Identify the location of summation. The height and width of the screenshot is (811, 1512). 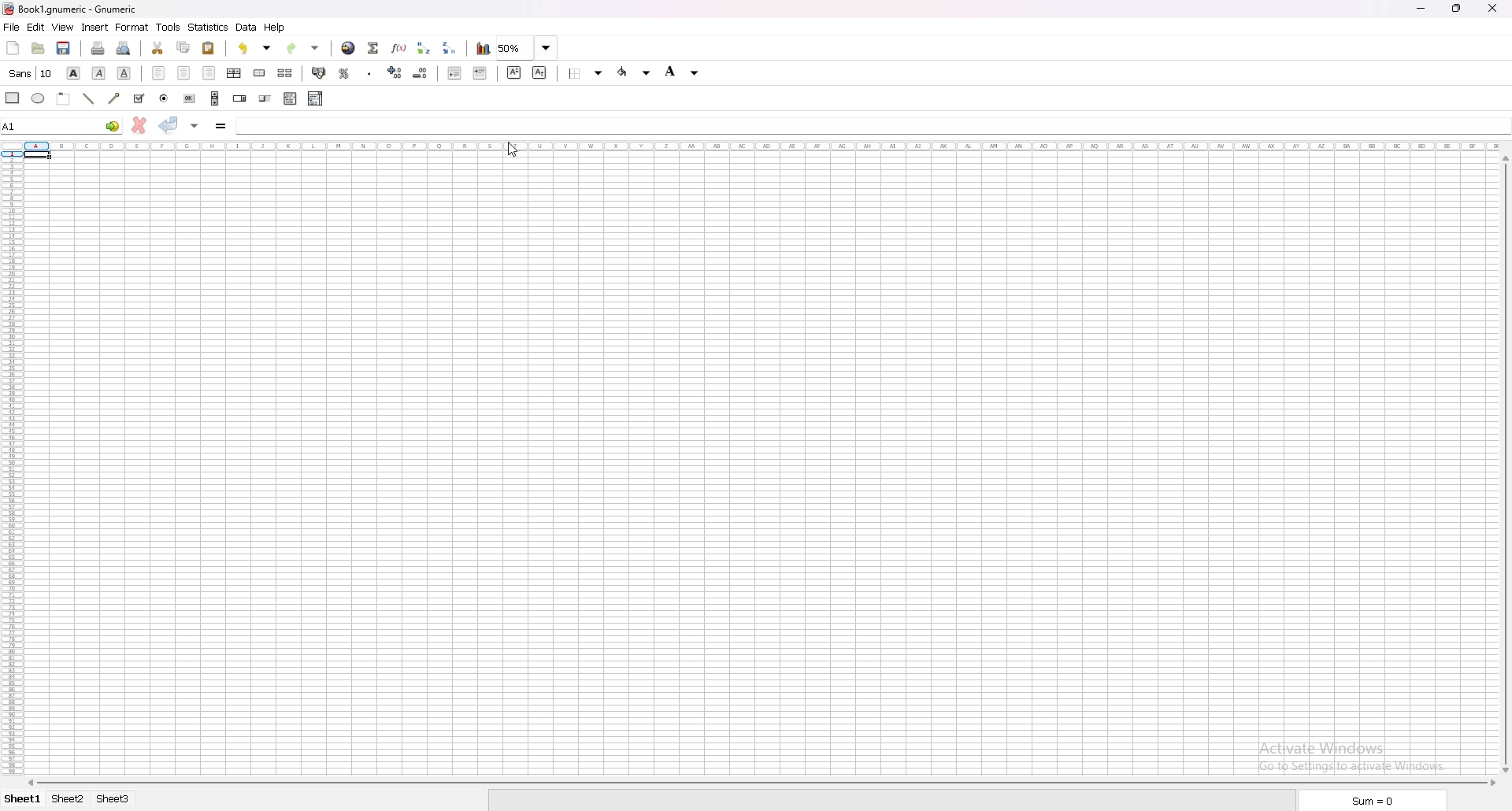
(373, 47).